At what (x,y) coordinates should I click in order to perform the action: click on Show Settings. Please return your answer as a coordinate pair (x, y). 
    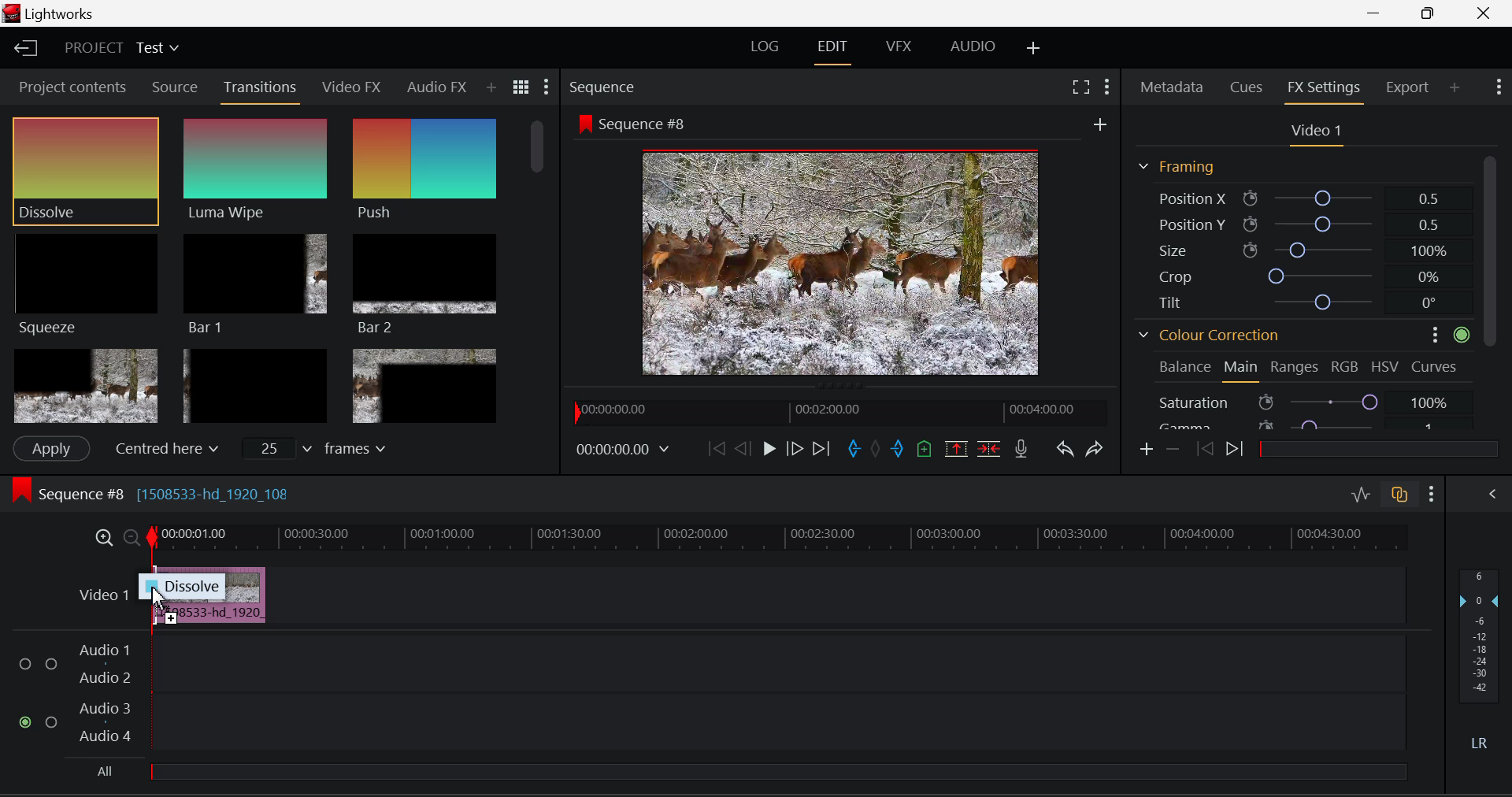
    Looking at the image, I should click on (1432, 495).